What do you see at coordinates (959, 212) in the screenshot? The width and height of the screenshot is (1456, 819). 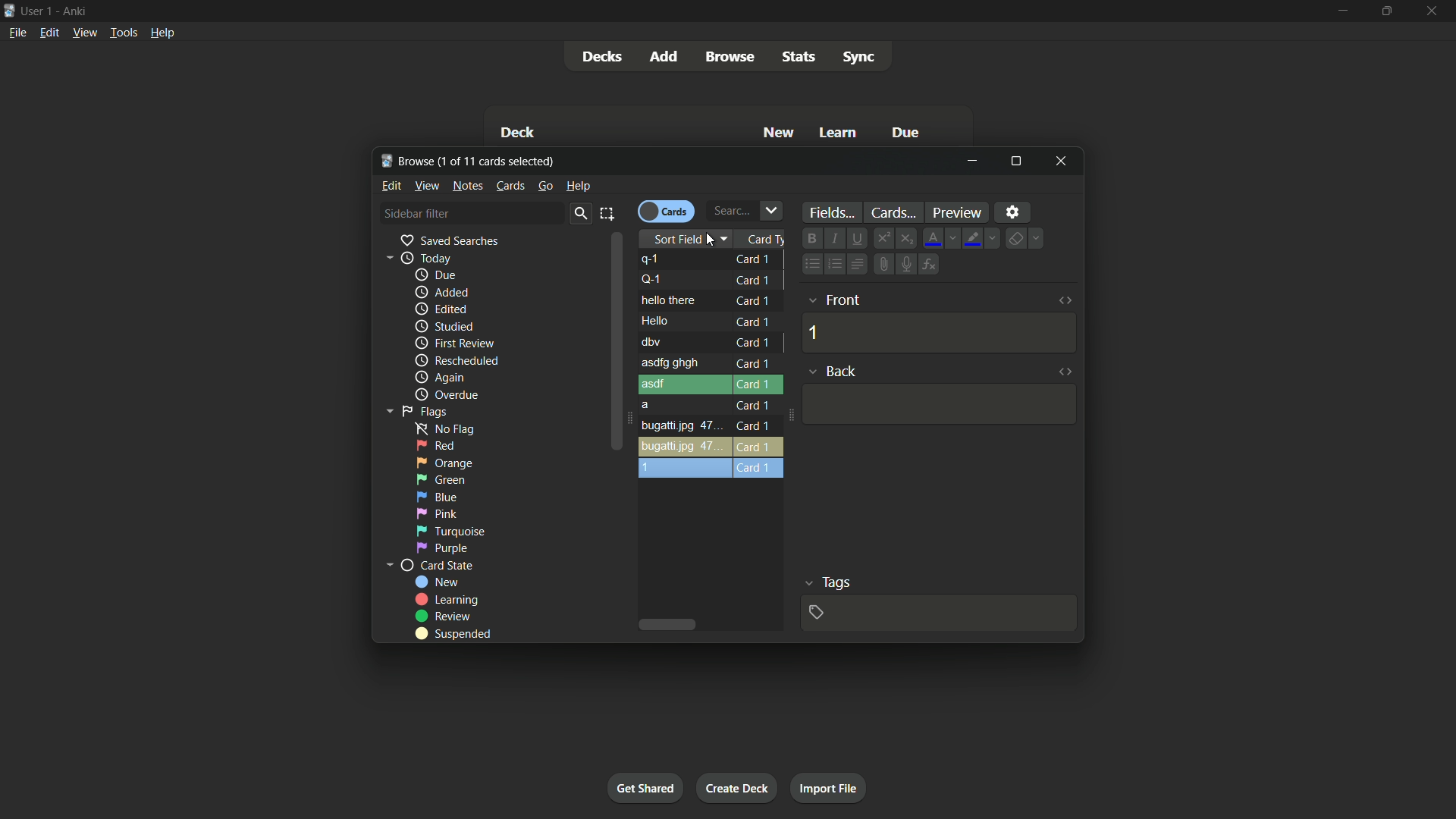 I see `preview` at bounding box center [959, 212].